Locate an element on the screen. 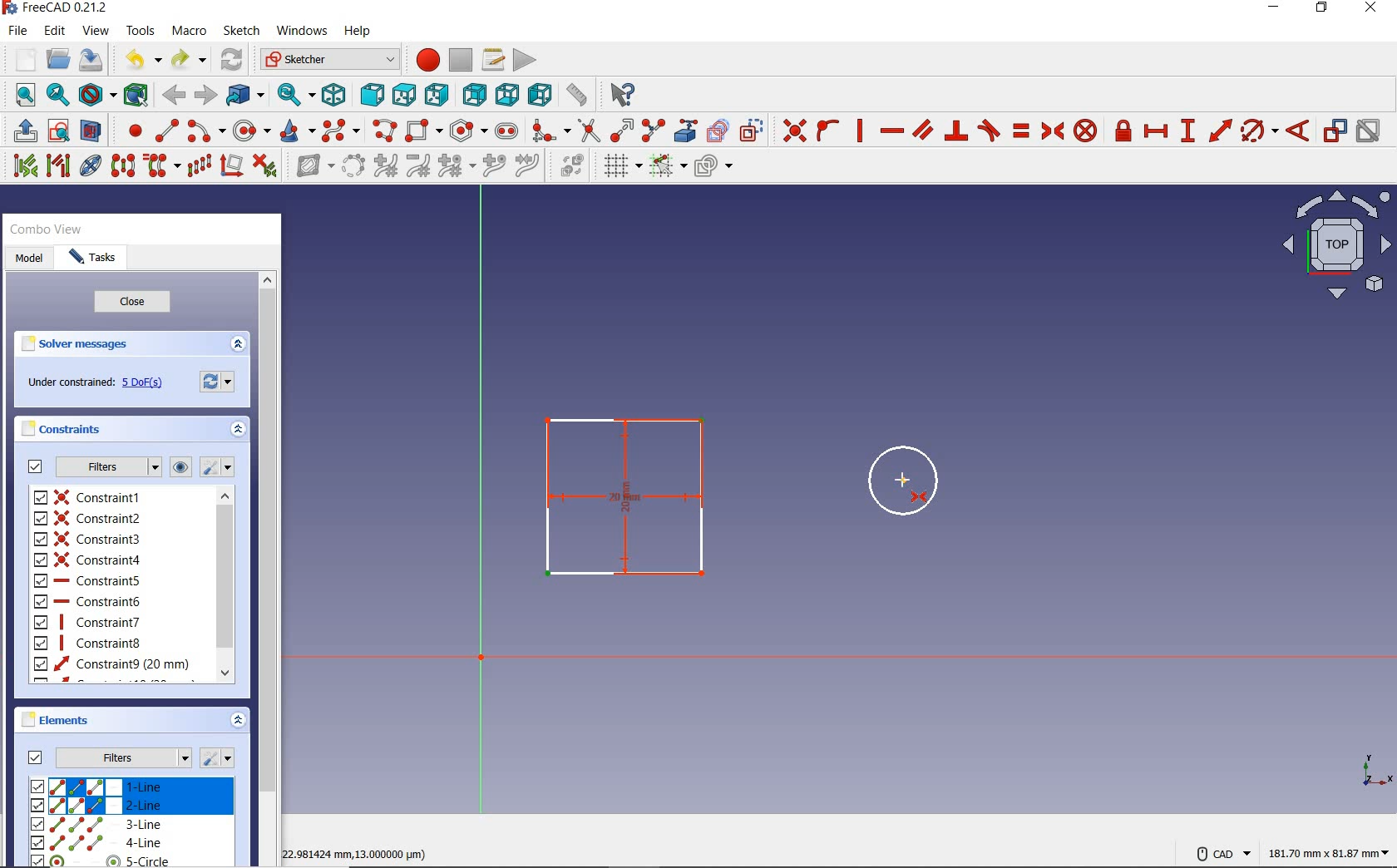  constrain distance is located at coordinates (1218, 131).